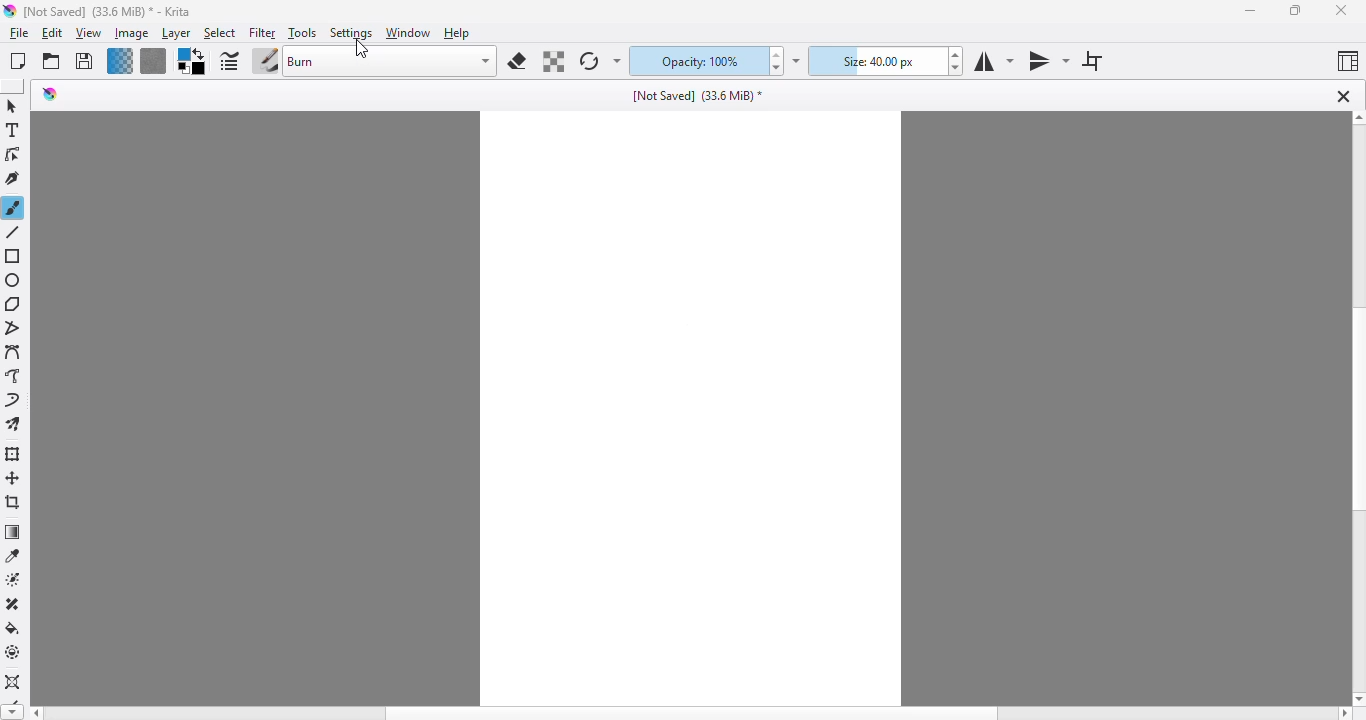 This screenshot has width=1366, height=720. Describe the element at coordinates (876, 61) in the screenshot. I see `size` at that location.